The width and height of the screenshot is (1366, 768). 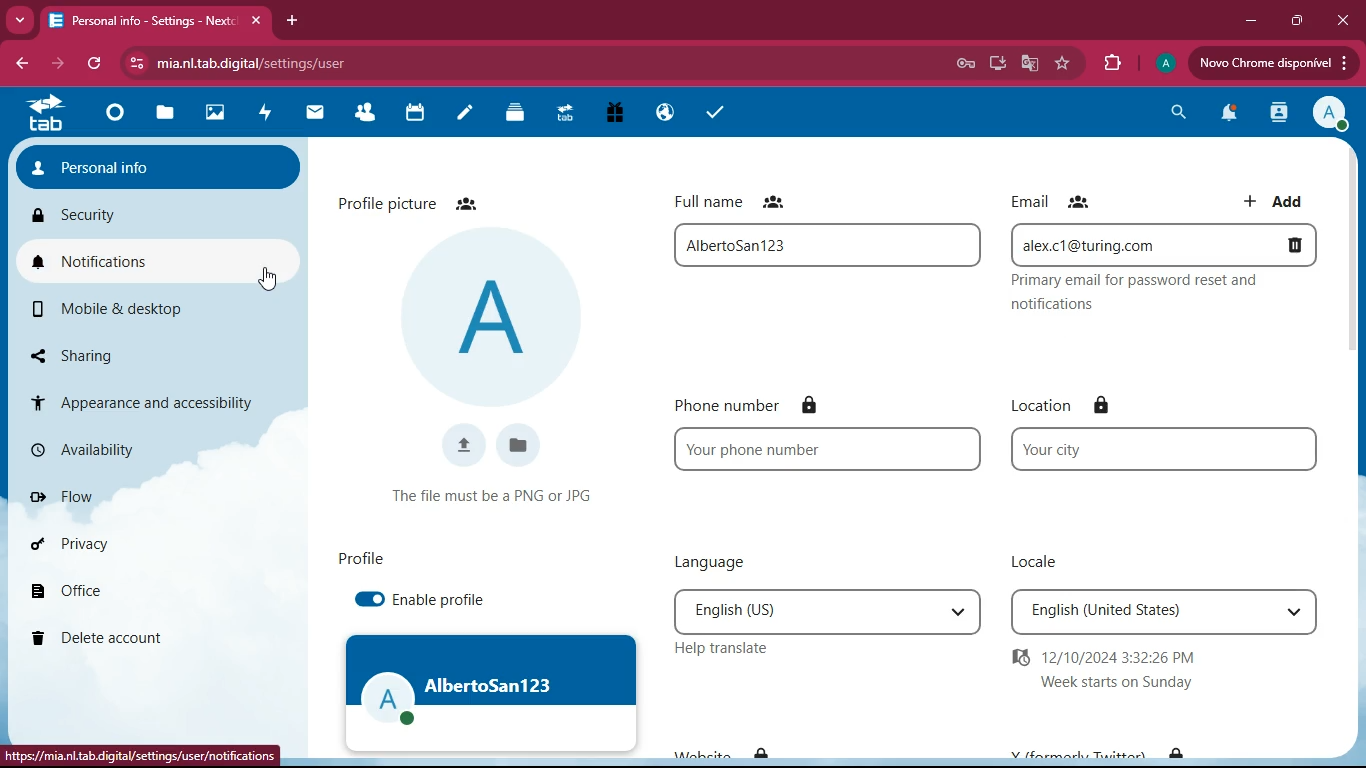 What do you see at coordinates (114, 117) in the screenshot?
I see `home` at bounding box center [114, 117].